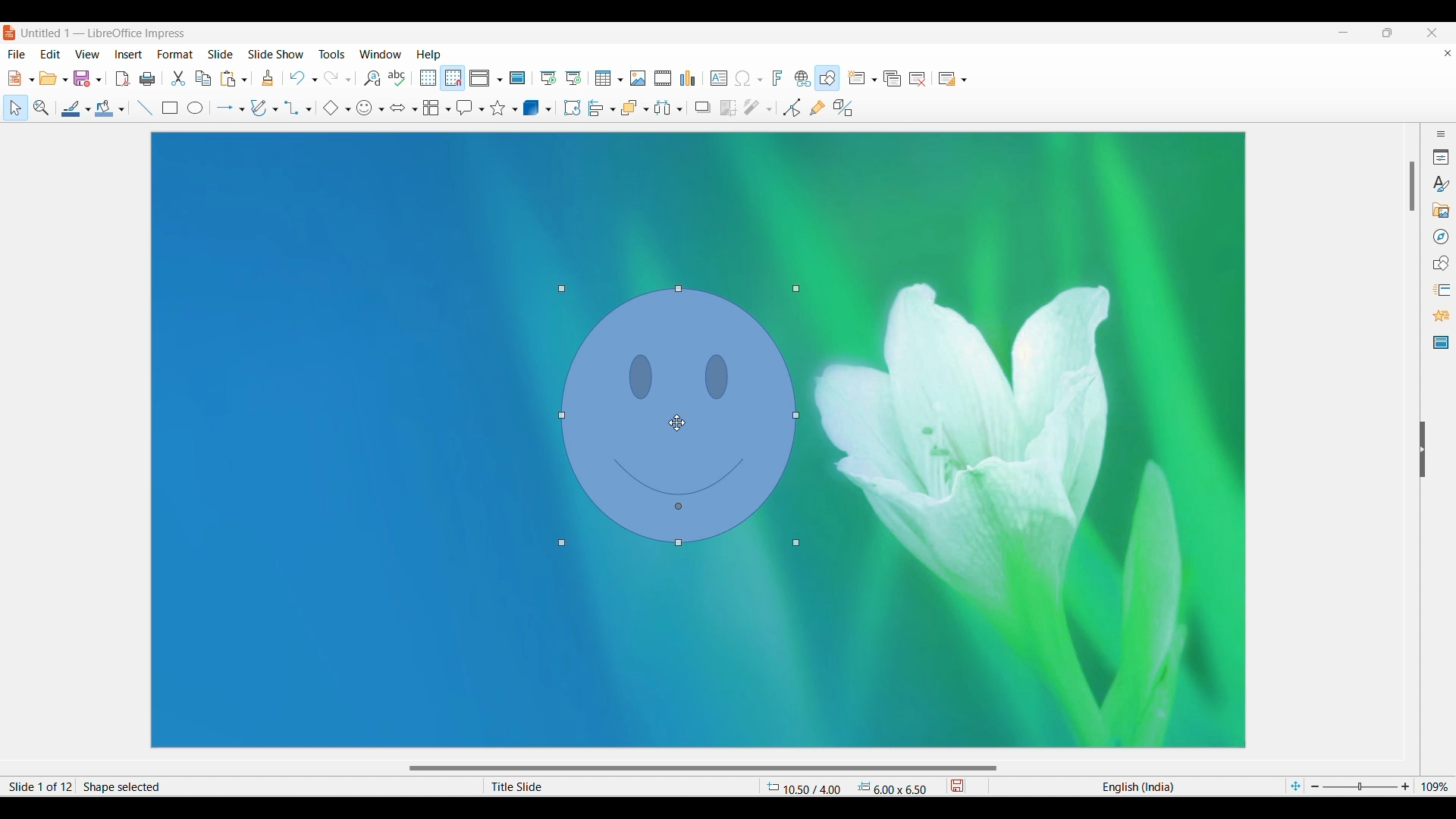 The height and width of the screenshot is (819, 1456). What do you see at coordinates (10, 33) in the screenshot?
I see `Software logo` at bounding box center [10, 33].